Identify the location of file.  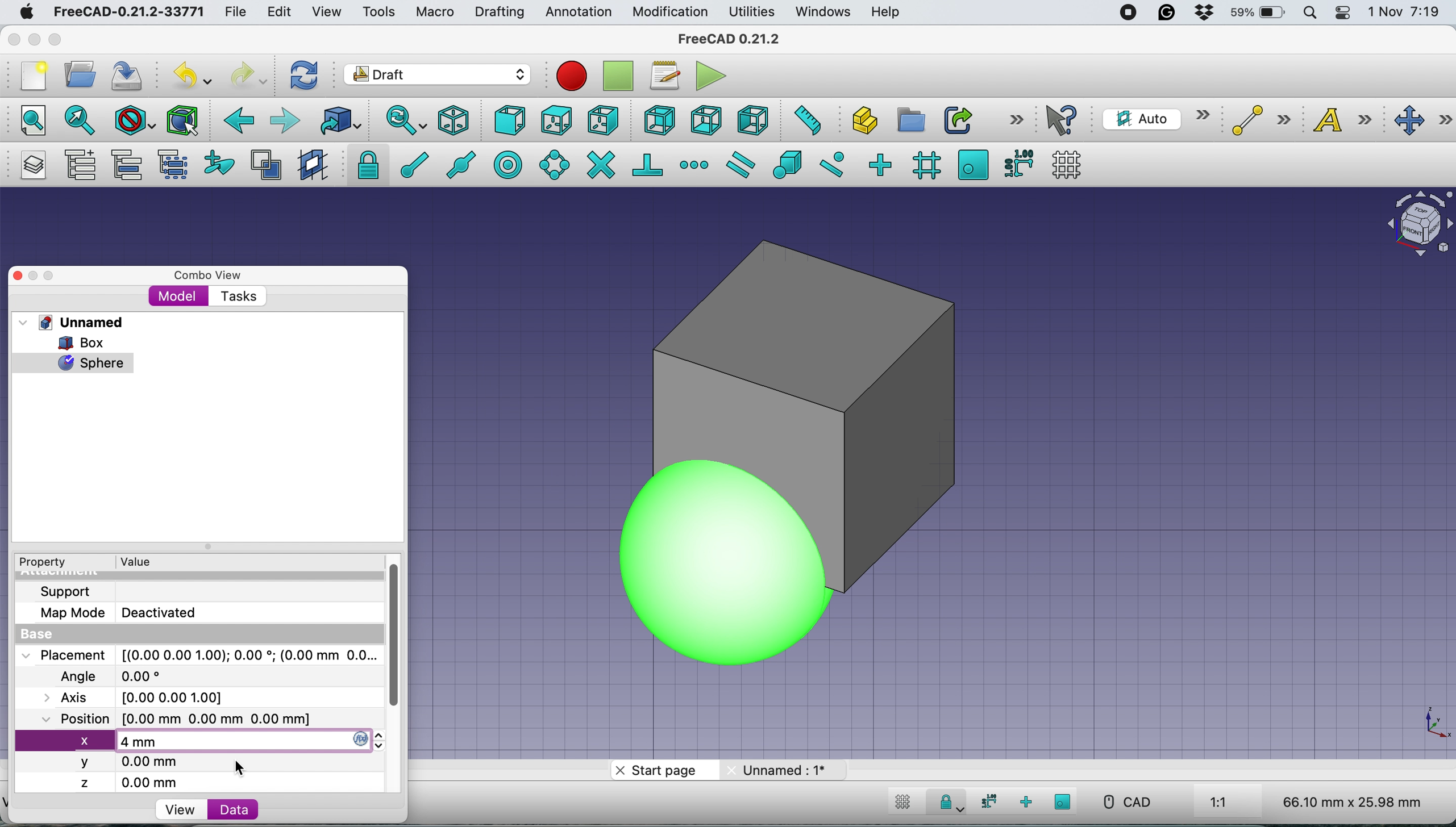
(235, 12).